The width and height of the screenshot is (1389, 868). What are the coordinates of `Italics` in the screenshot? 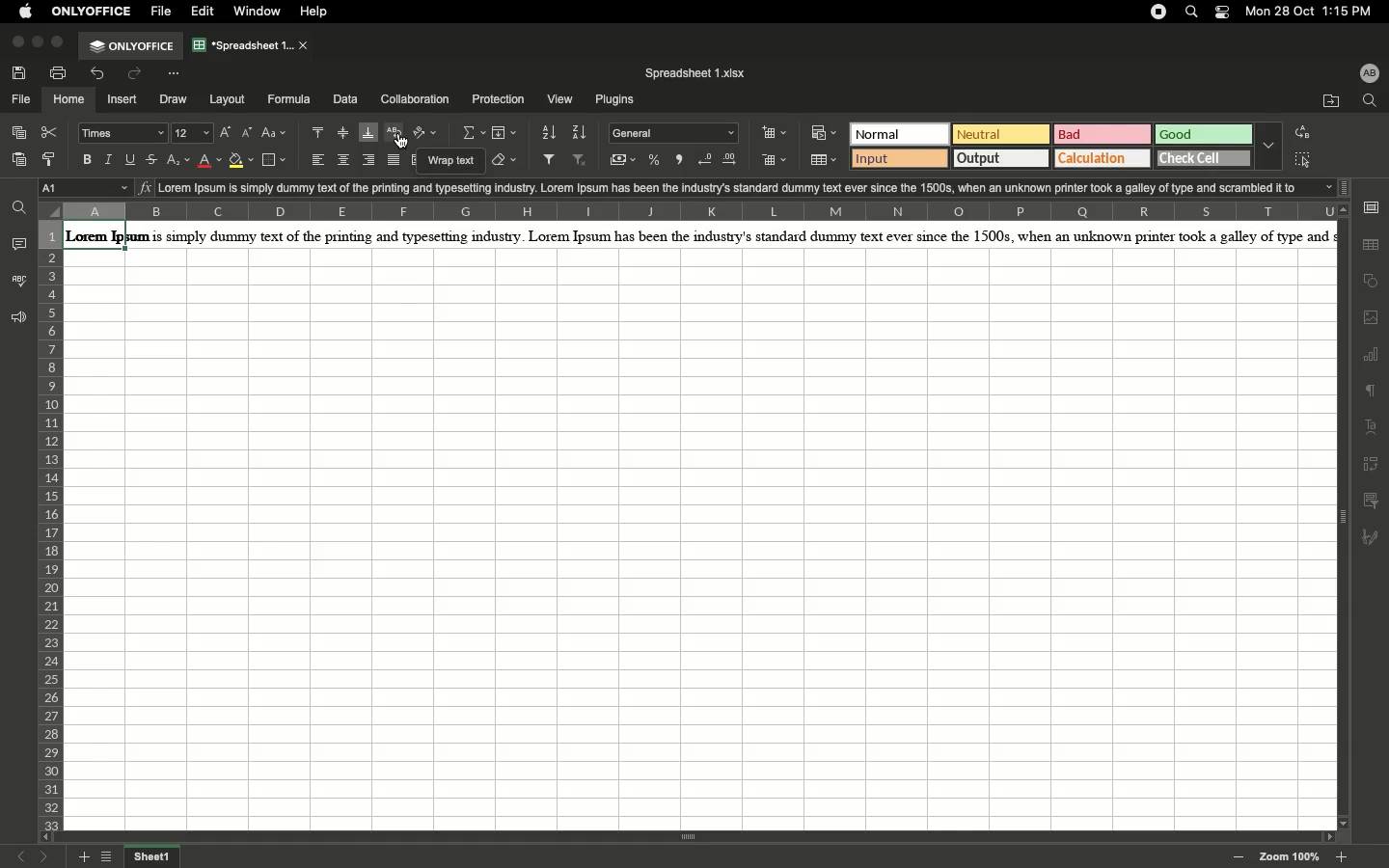 It's located at (112, 159).